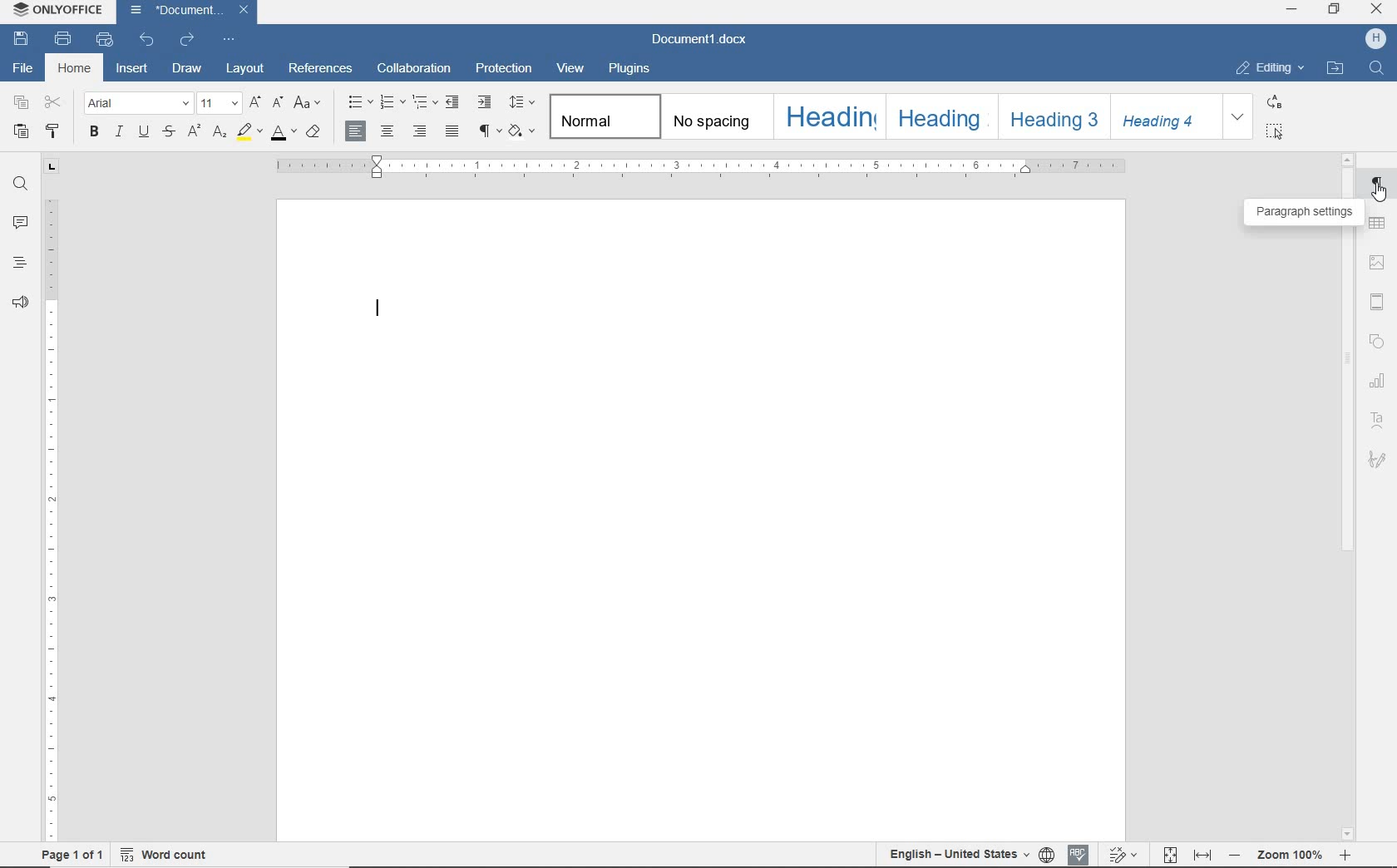 This screenshot has width=1397, height=868. What do you see at coordinates (136, 103) in the screenshot?
I see `font` at bounding box center [136, 103].